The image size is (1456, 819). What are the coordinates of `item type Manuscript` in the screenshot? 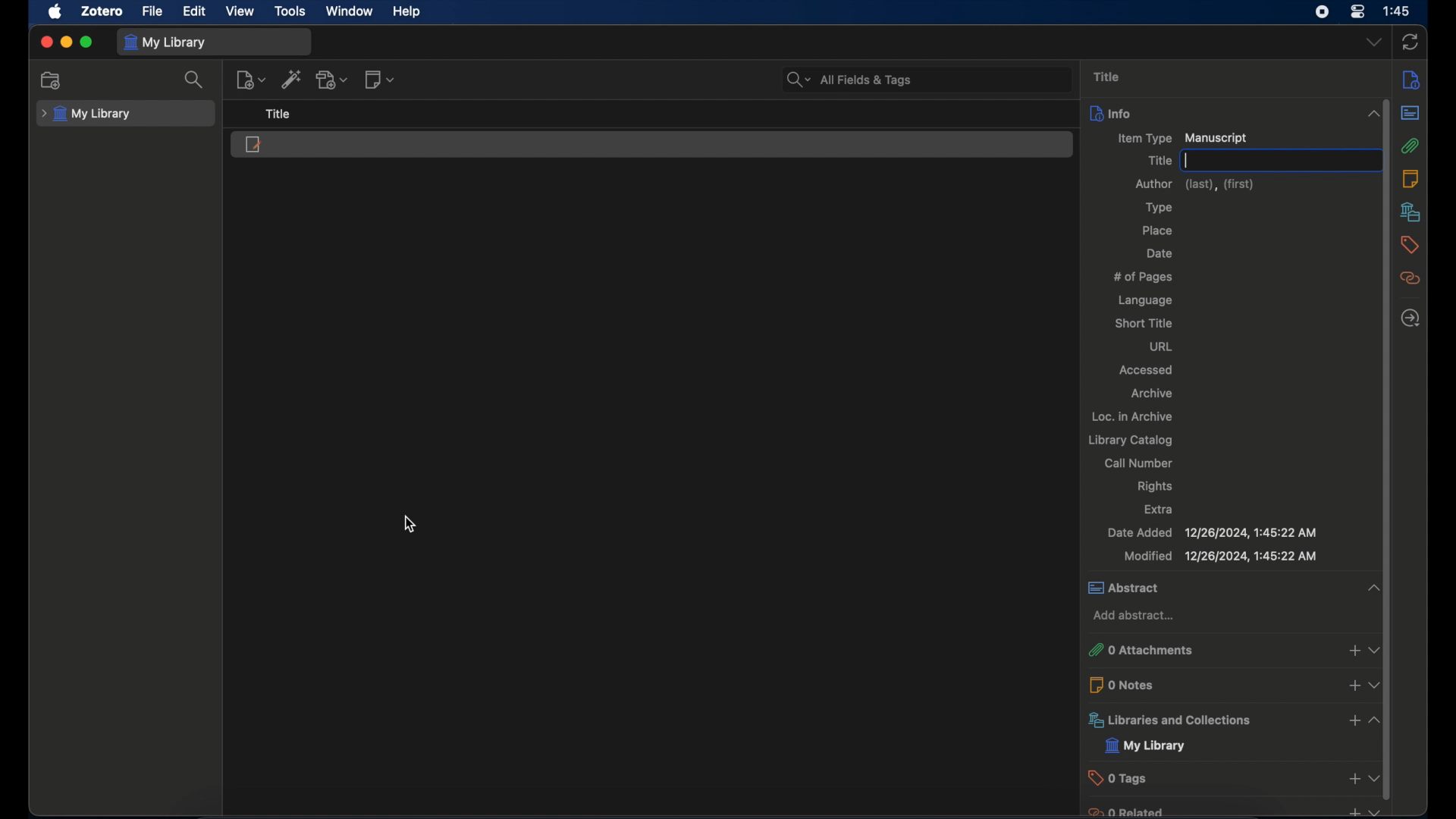 It's located at (1182, 139).